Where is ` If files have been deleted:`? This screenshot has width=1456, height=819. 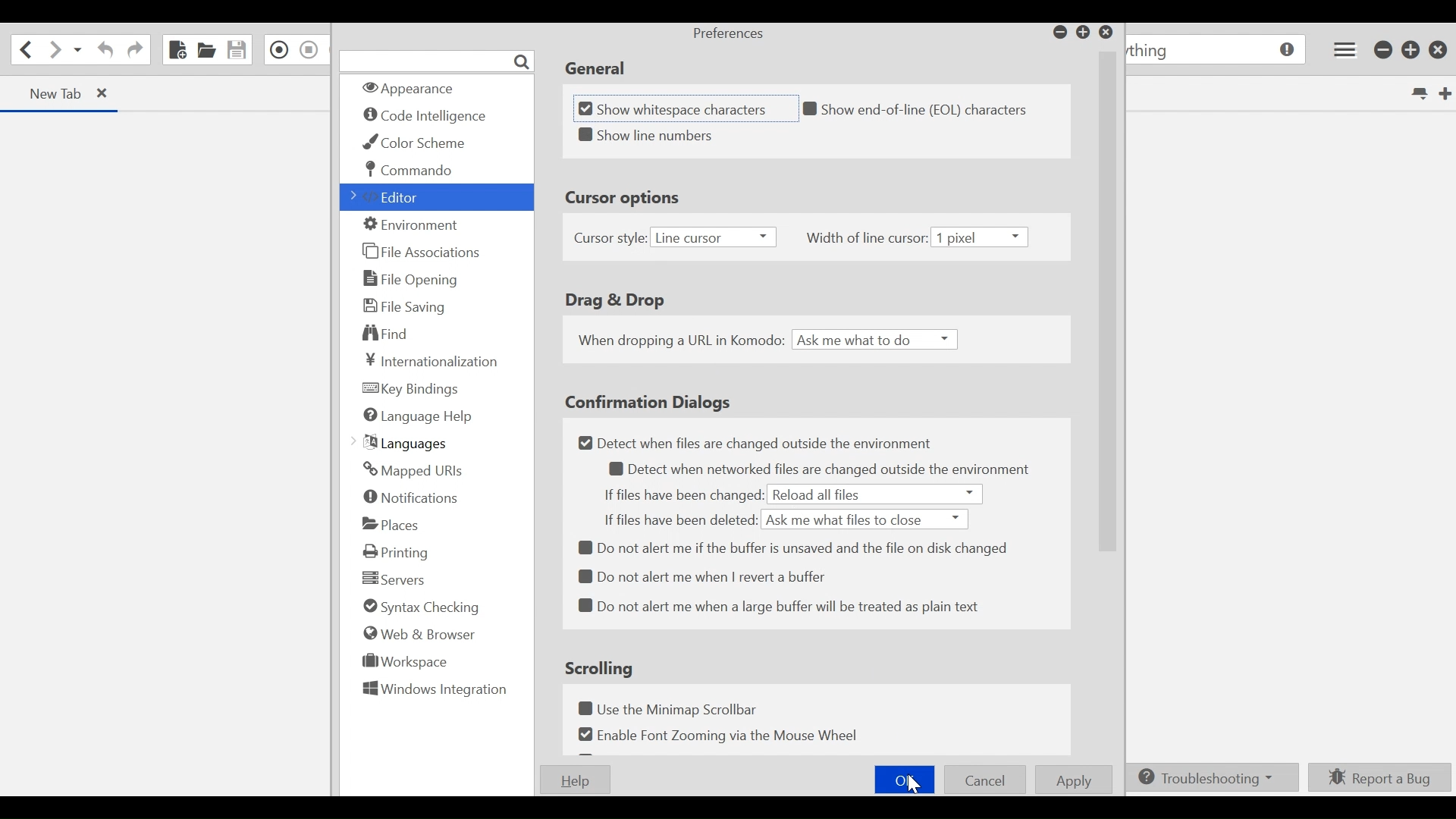  If files have been deleted: is located at coordinates (677, 519).